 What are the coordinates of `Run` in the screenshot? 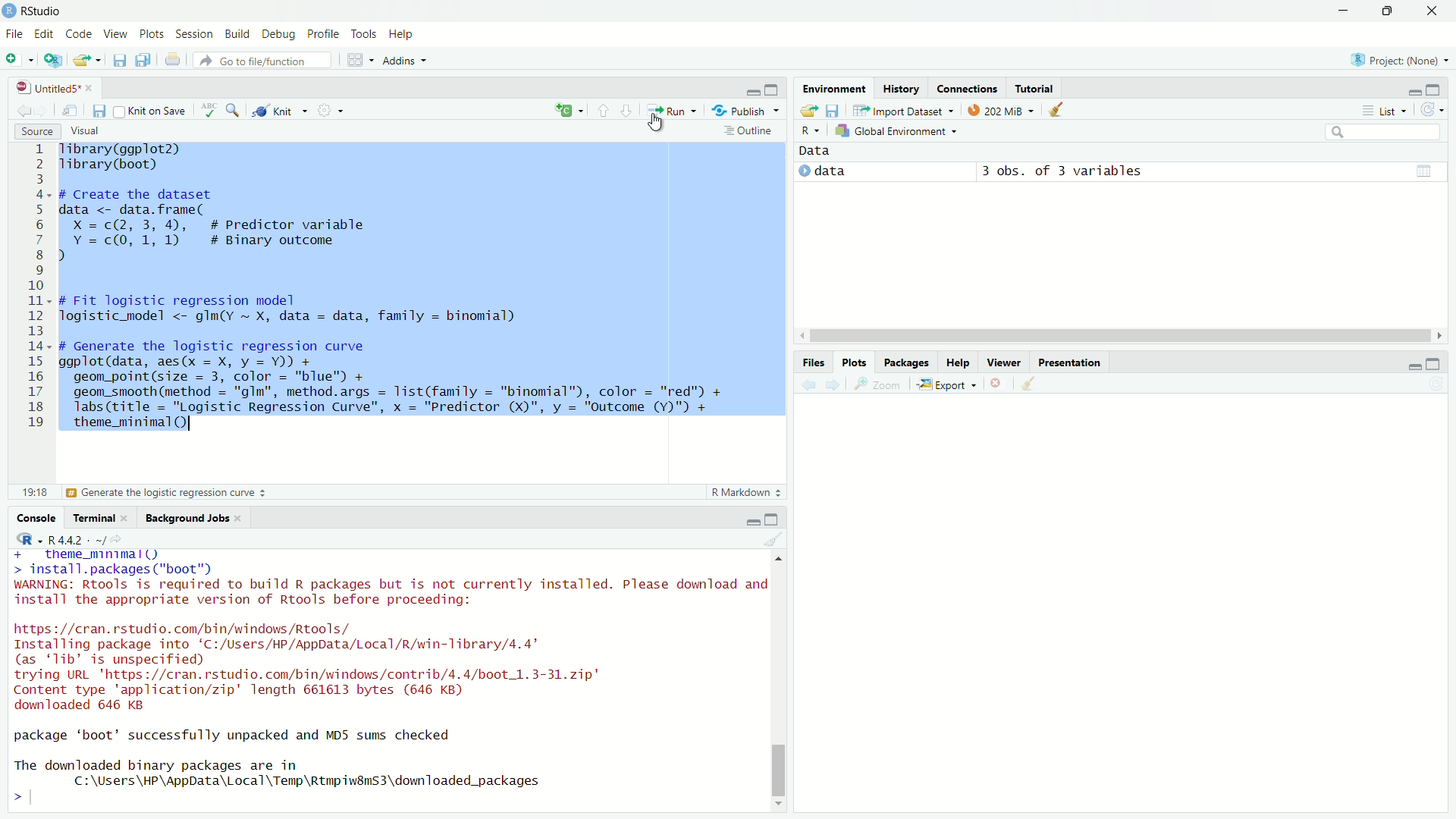 It's located at (672, 110).